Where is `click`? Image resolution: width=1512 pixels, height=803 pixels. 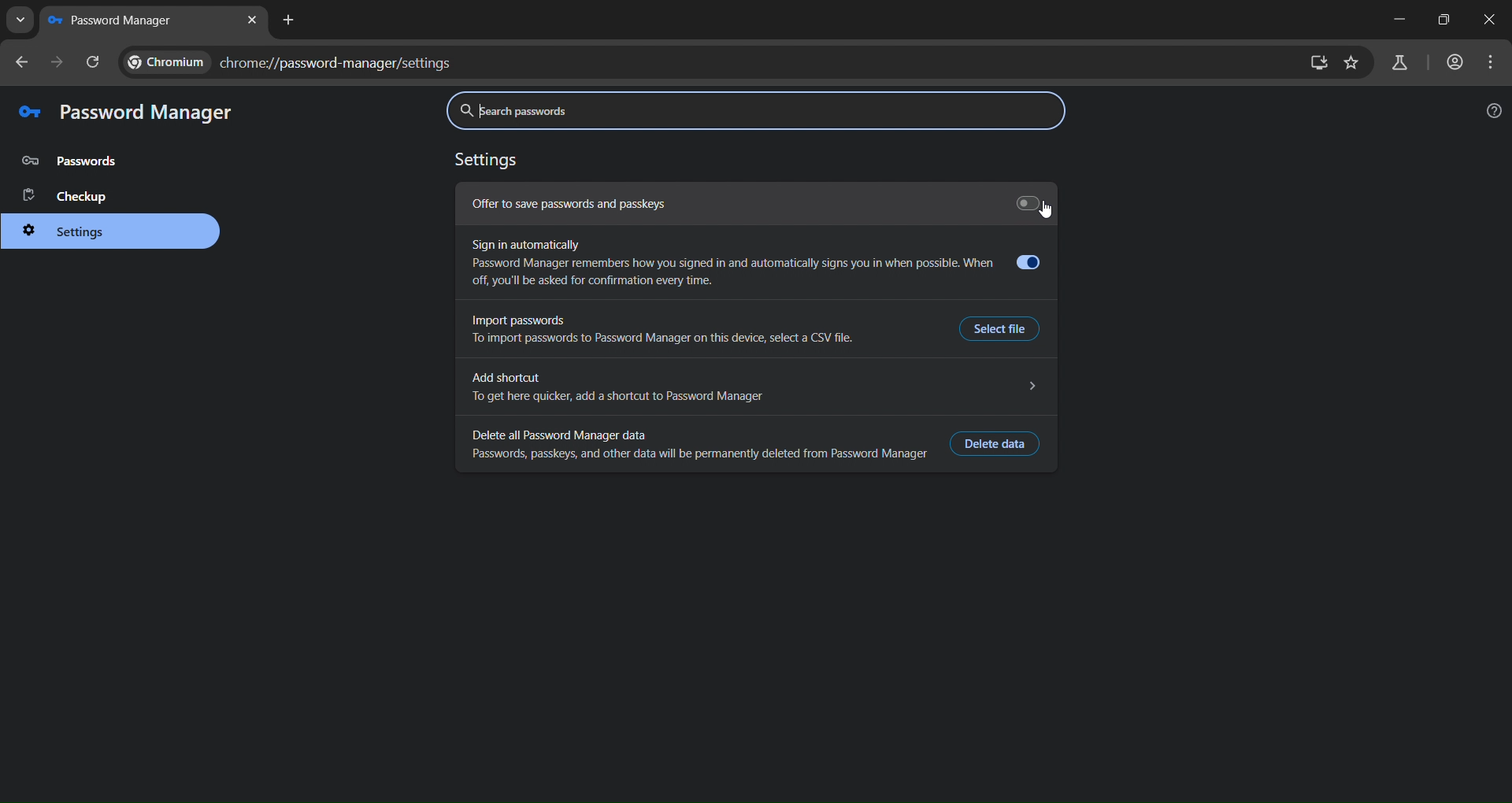
click is located at coordinates (1048, 211).